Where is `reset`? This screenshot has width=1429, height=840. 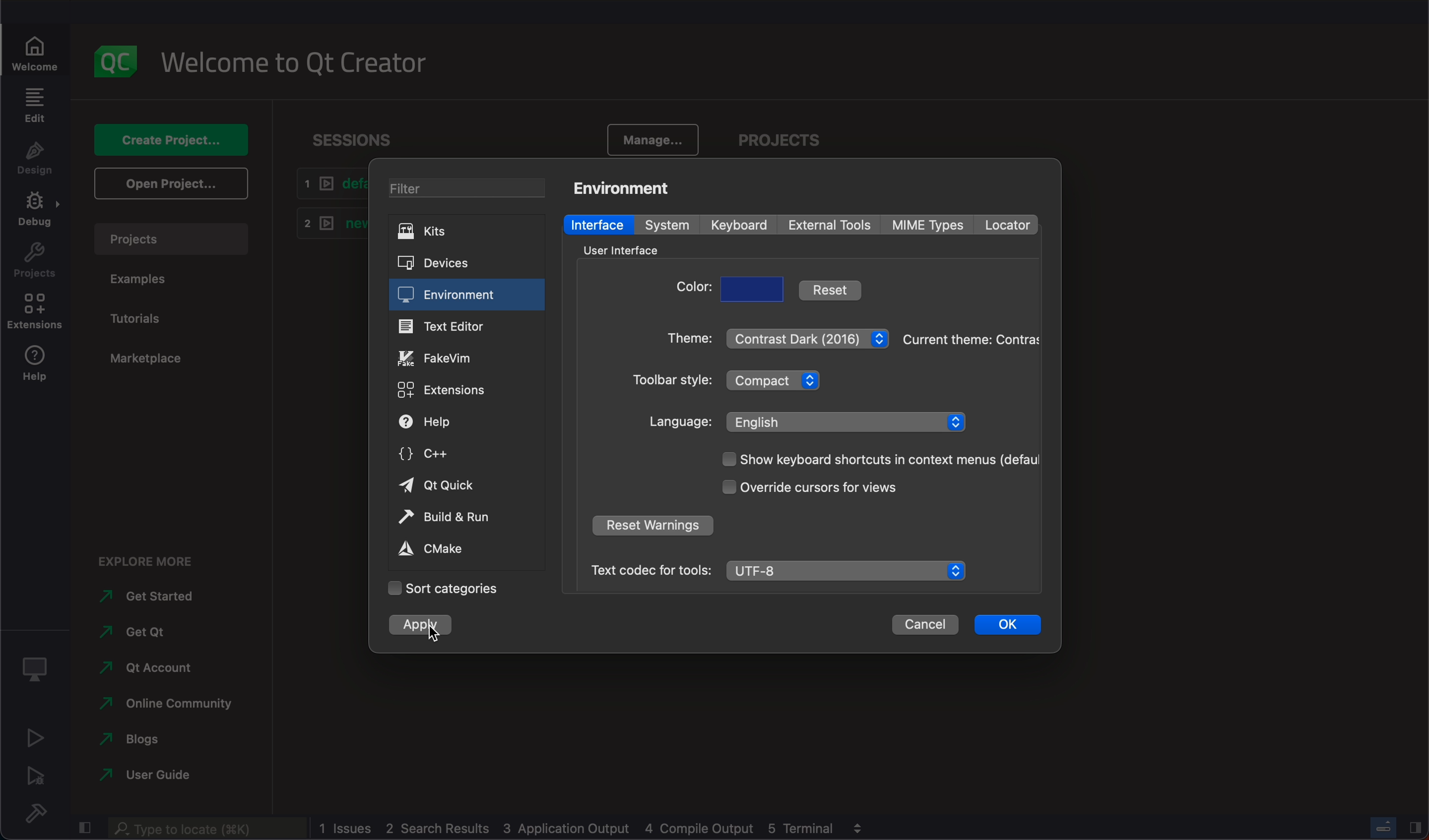 reset is located at coordinates (832, 288).